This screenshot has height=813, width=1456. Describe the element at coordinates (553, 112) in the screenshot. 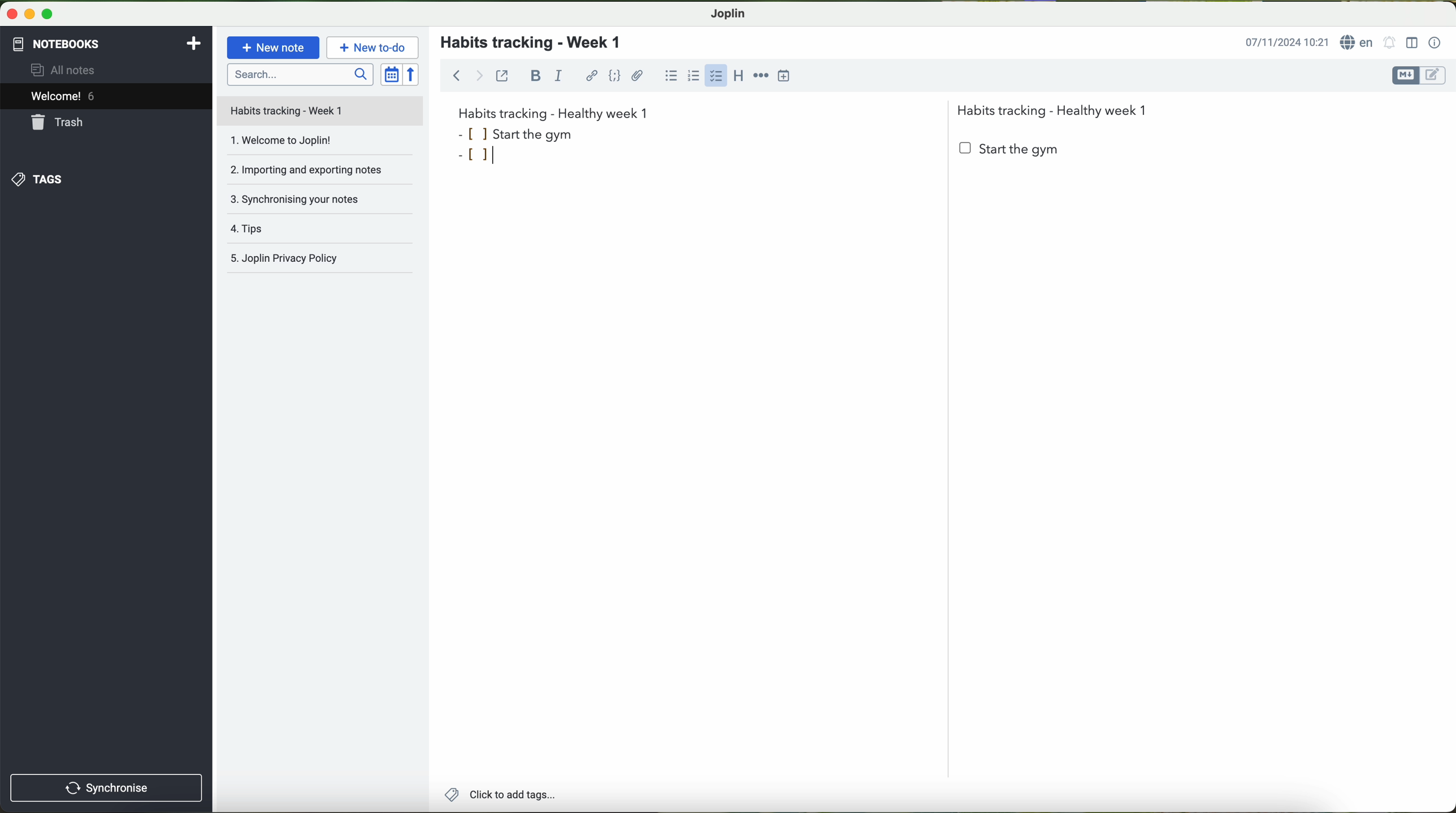

I see `habits tracking week 1` at that location.